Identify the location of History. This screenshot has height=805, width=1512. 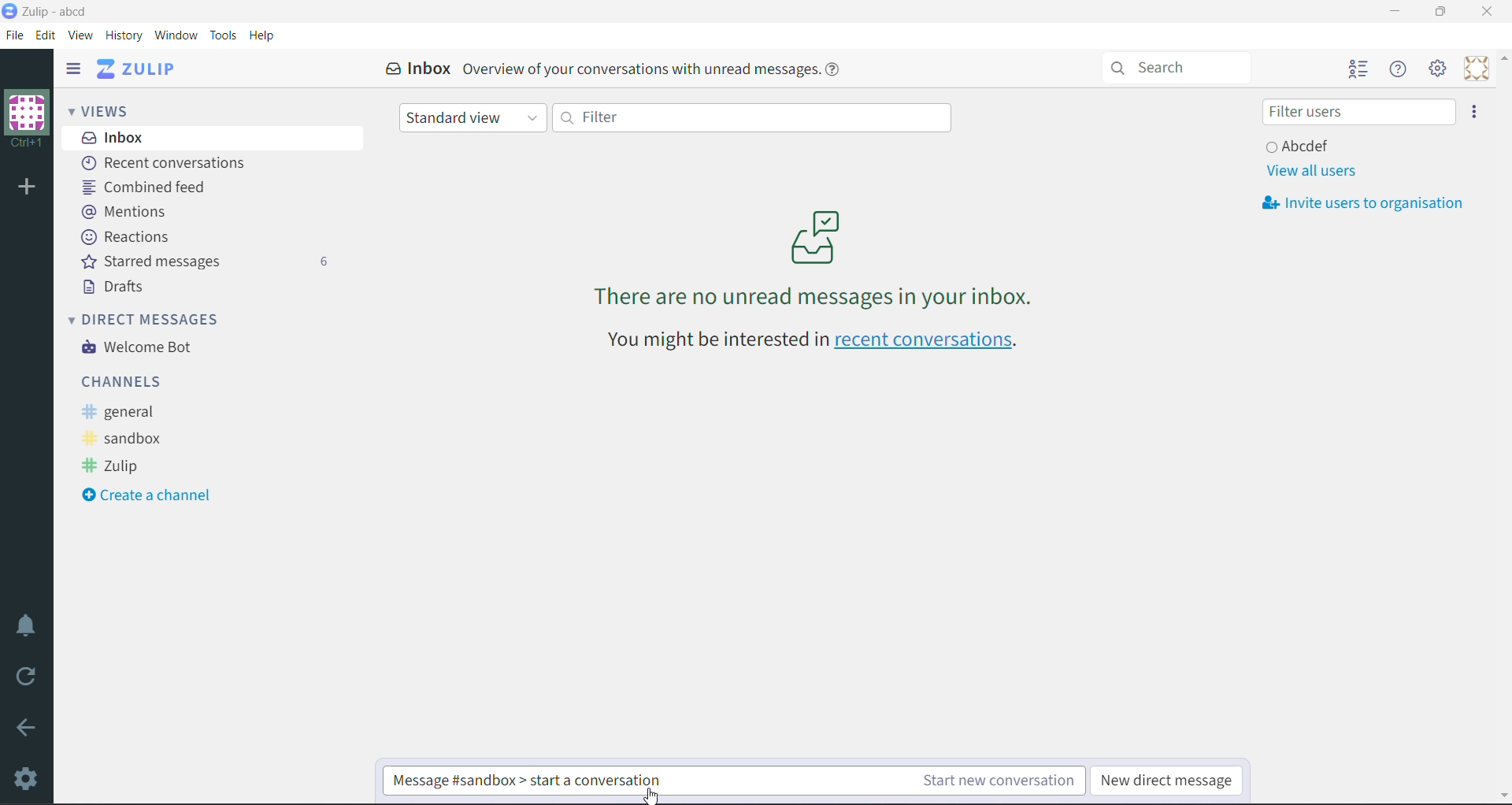
(125, 36).